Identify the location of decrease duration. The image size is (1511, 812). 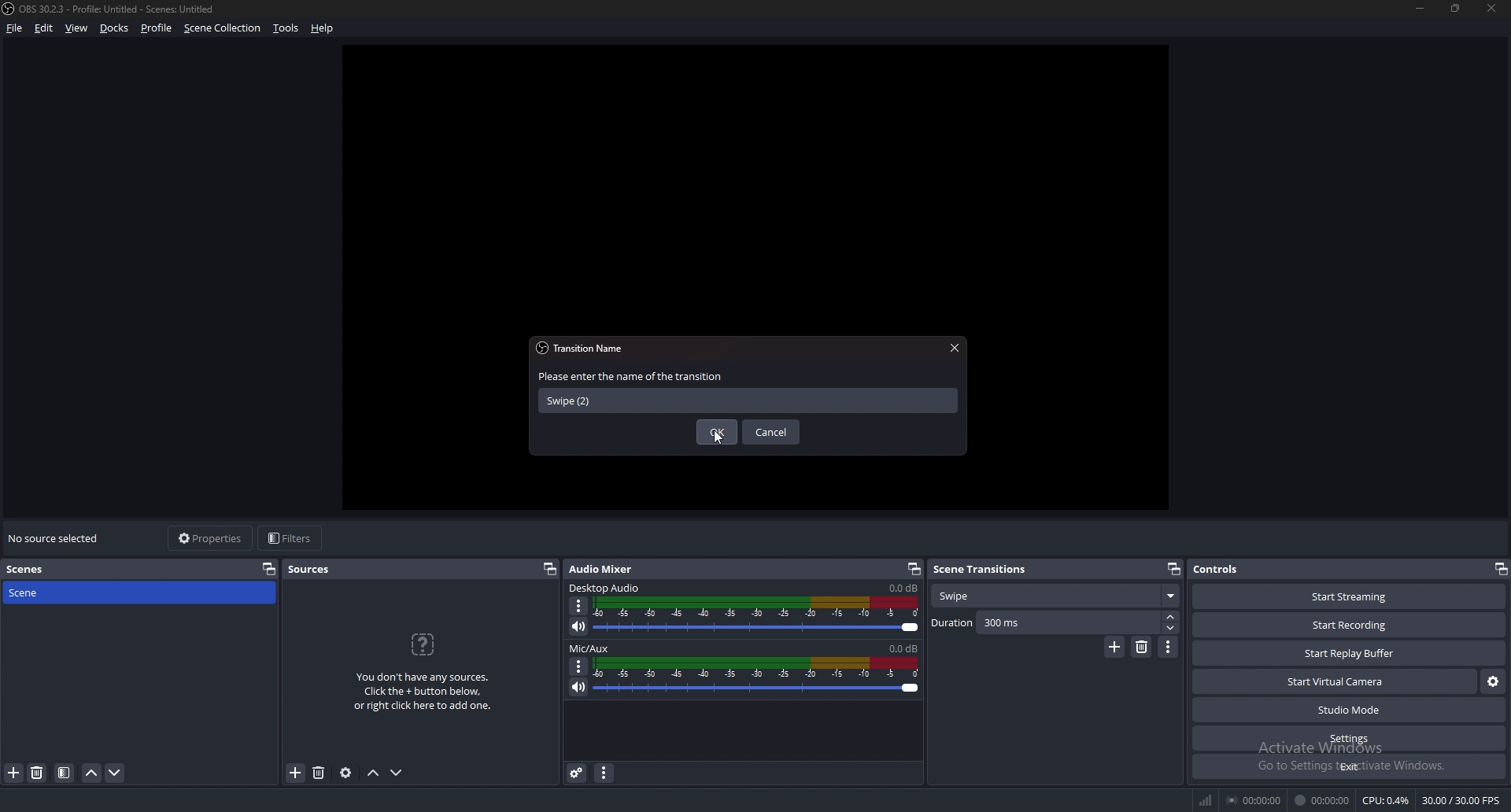
(1172, 628).